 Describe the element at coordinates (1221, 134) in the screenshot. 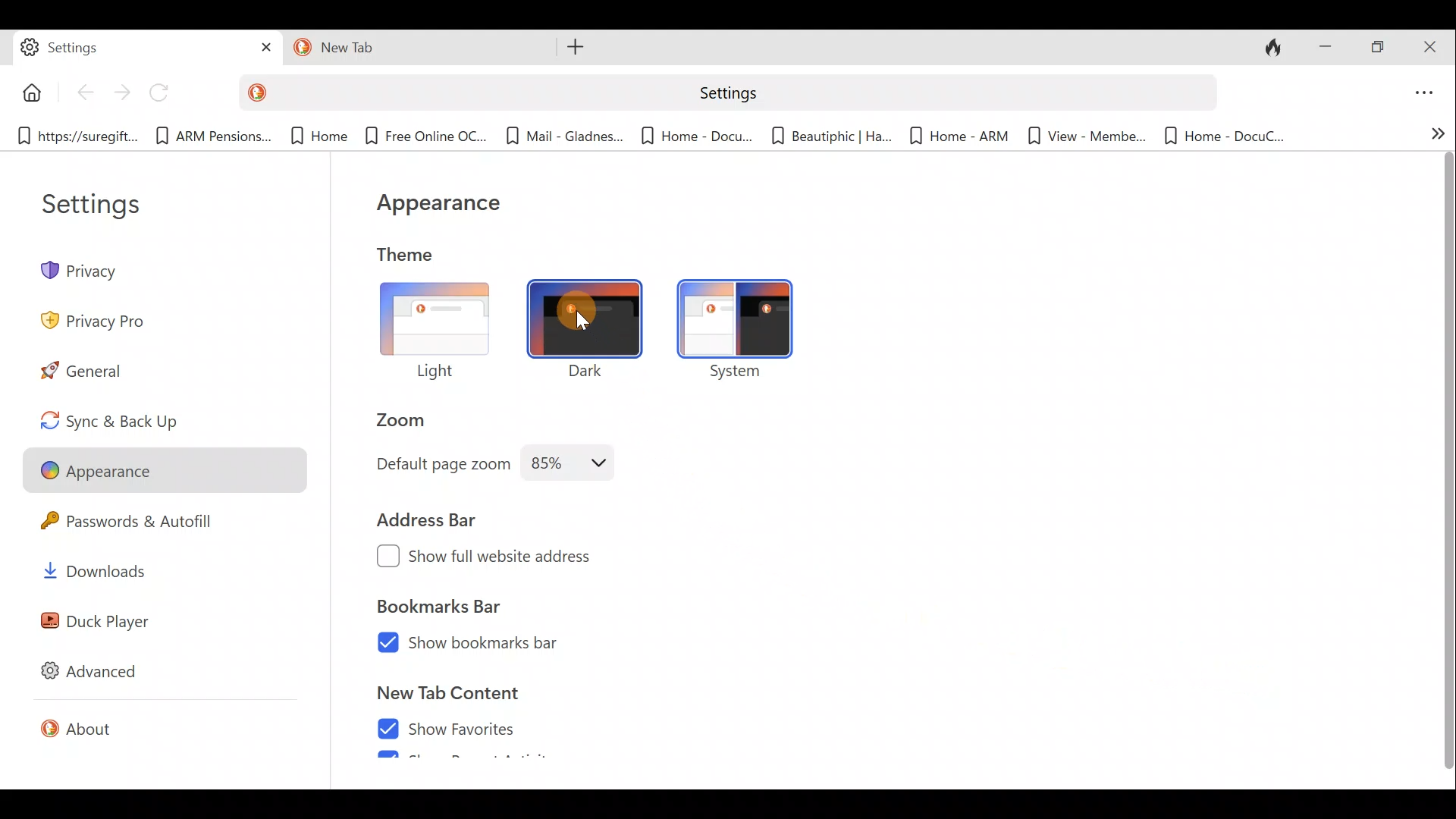

I see `Bookmark 10` at that location.